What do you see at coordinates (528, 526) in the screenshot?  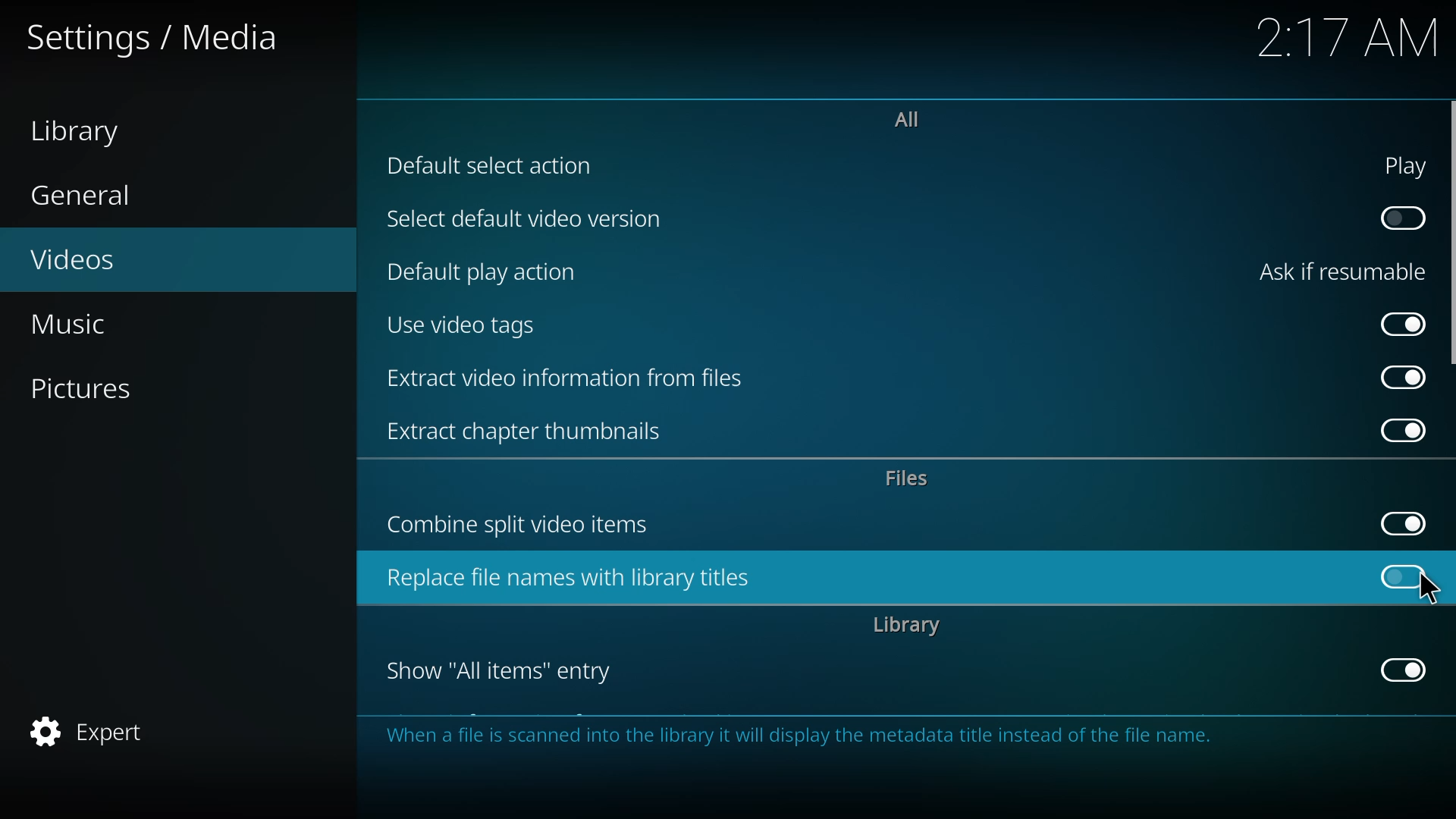 I see `combine split video items` at bounding box center [528, 526].